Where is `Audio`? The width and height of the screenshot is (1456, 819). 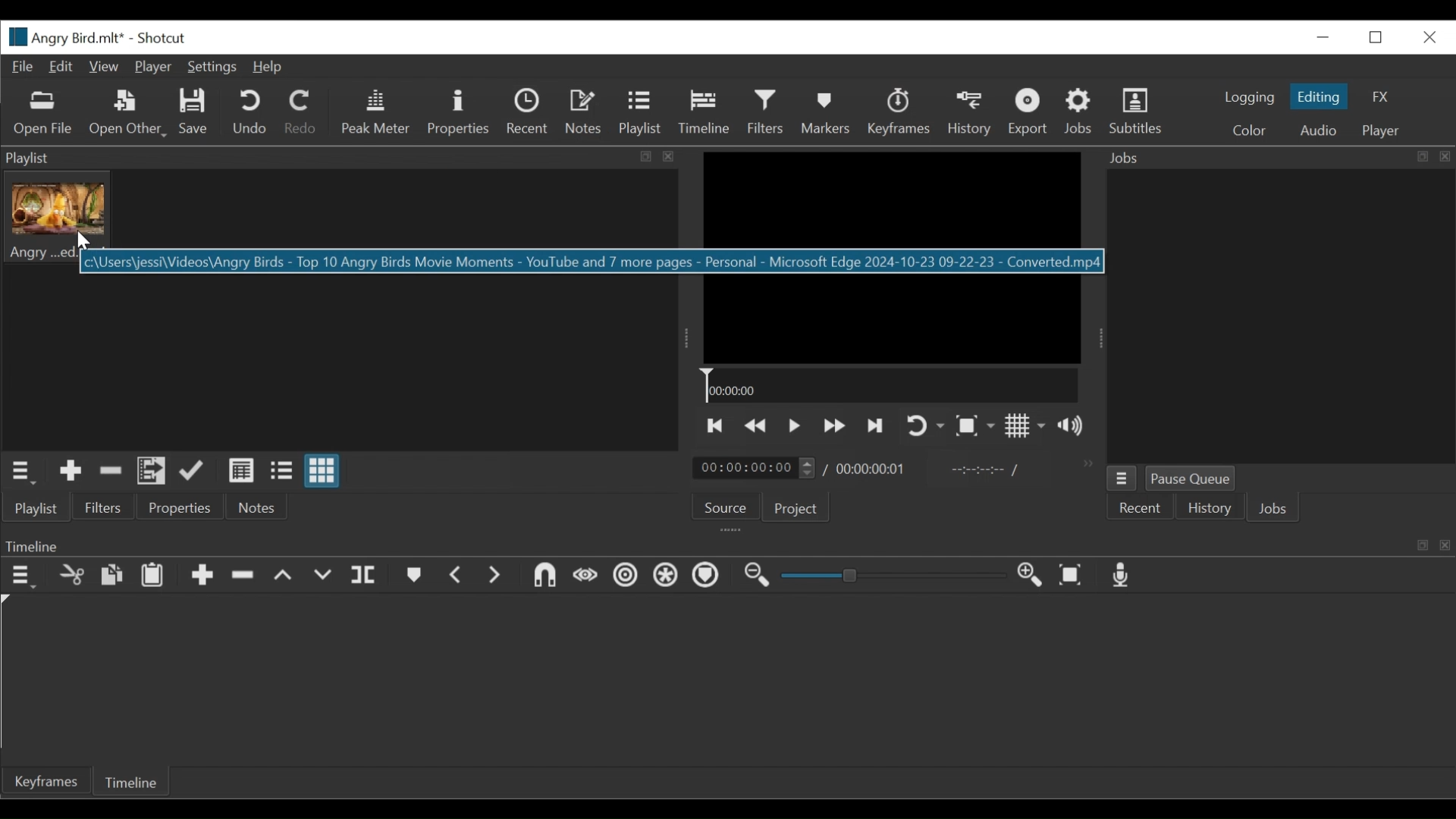
Audio is located at coordinates (1317, 130).